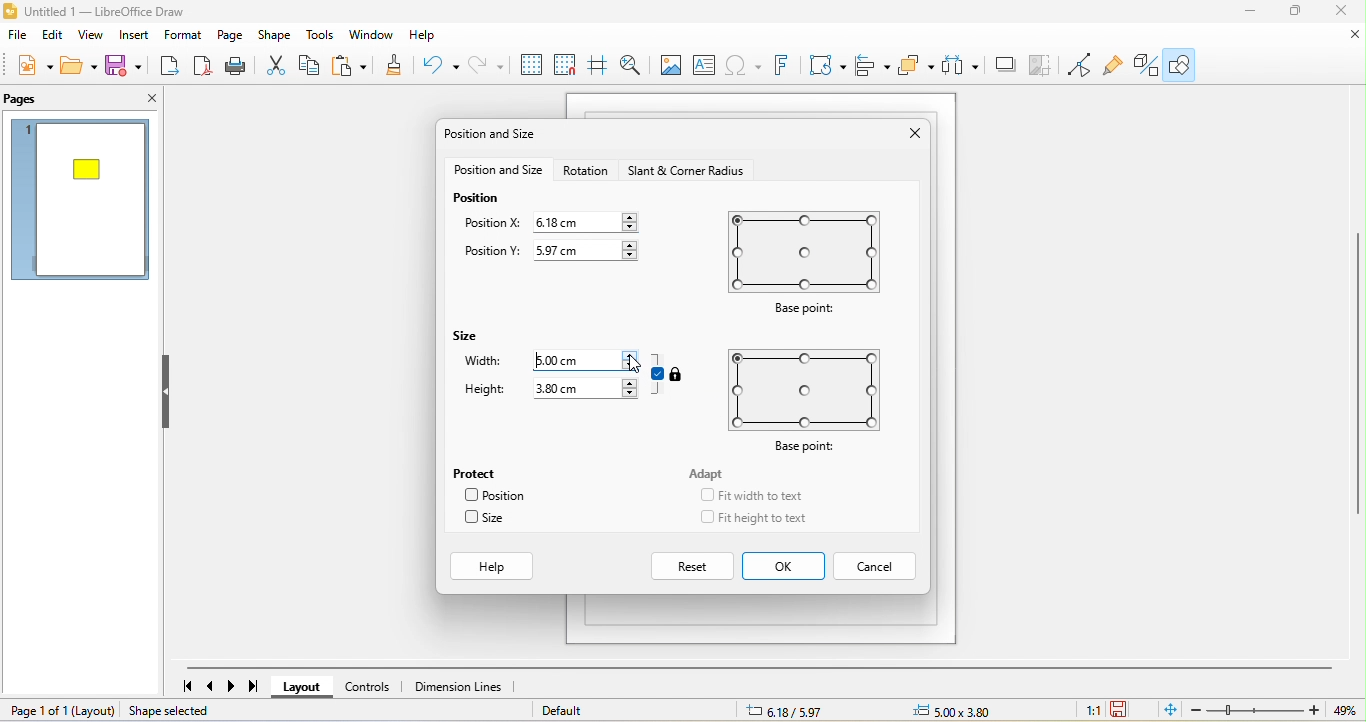 The width and height of the screenshot is (1366, 722). Describe the element at coordinates (78, 68) in the screenshot. I see `open` at that location.